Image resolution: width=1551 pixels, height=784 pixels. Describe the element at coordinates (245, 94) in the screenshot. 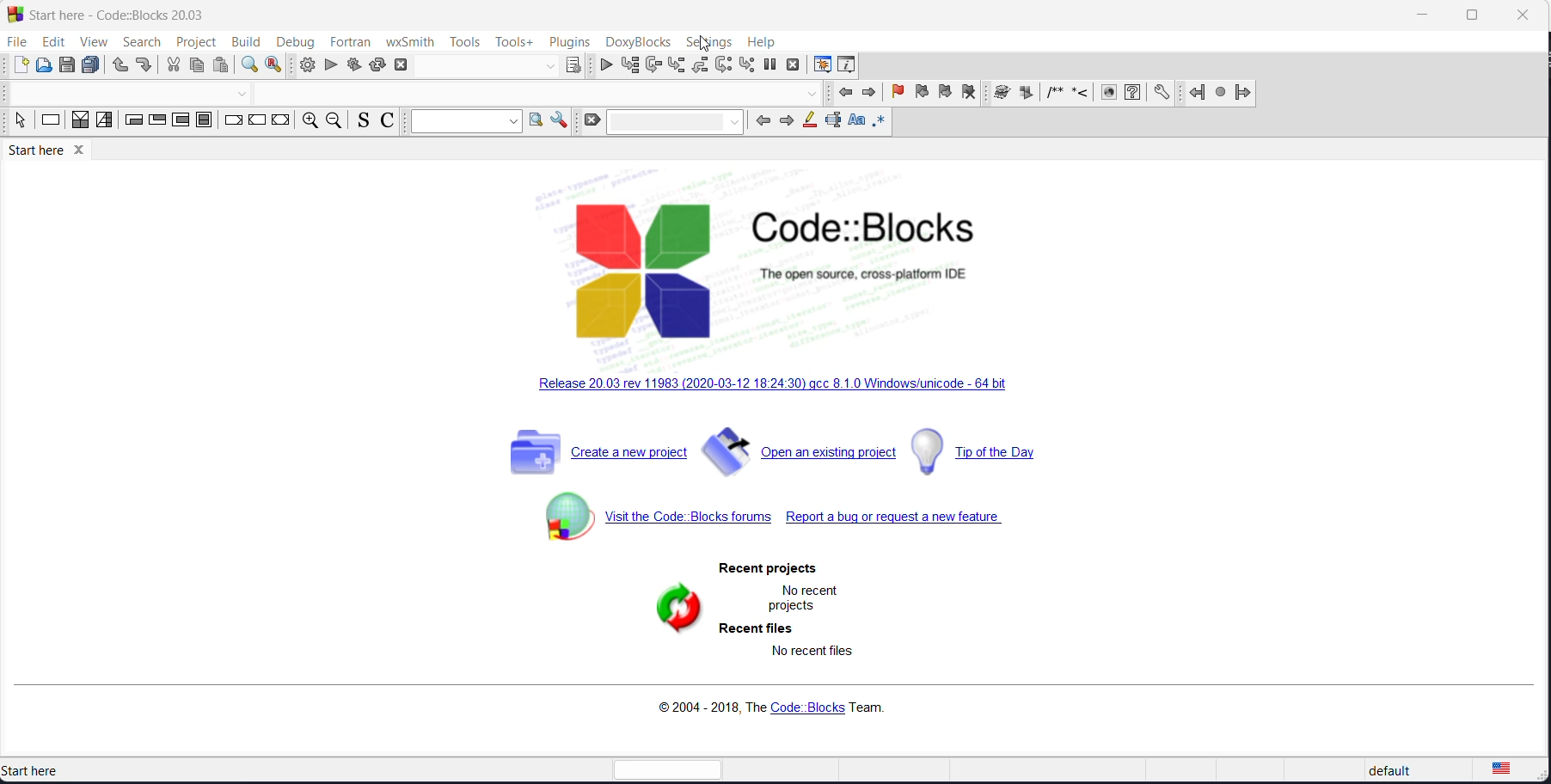

I see `dropdown` at that location.